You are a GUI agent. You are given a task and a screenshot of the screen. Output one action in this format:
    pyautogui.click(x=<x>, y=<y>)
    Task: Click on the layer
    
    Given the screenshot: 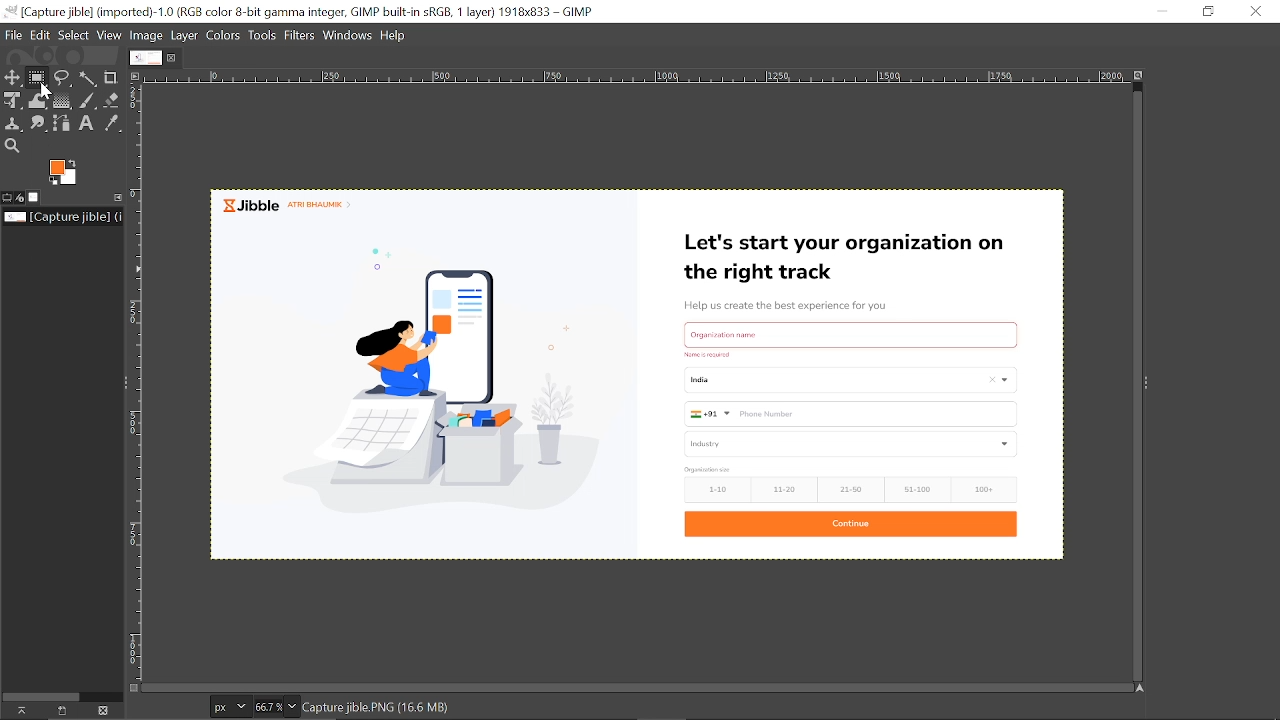 What is the action you would take?
    pyautogui.click(x=186, y=34)
    